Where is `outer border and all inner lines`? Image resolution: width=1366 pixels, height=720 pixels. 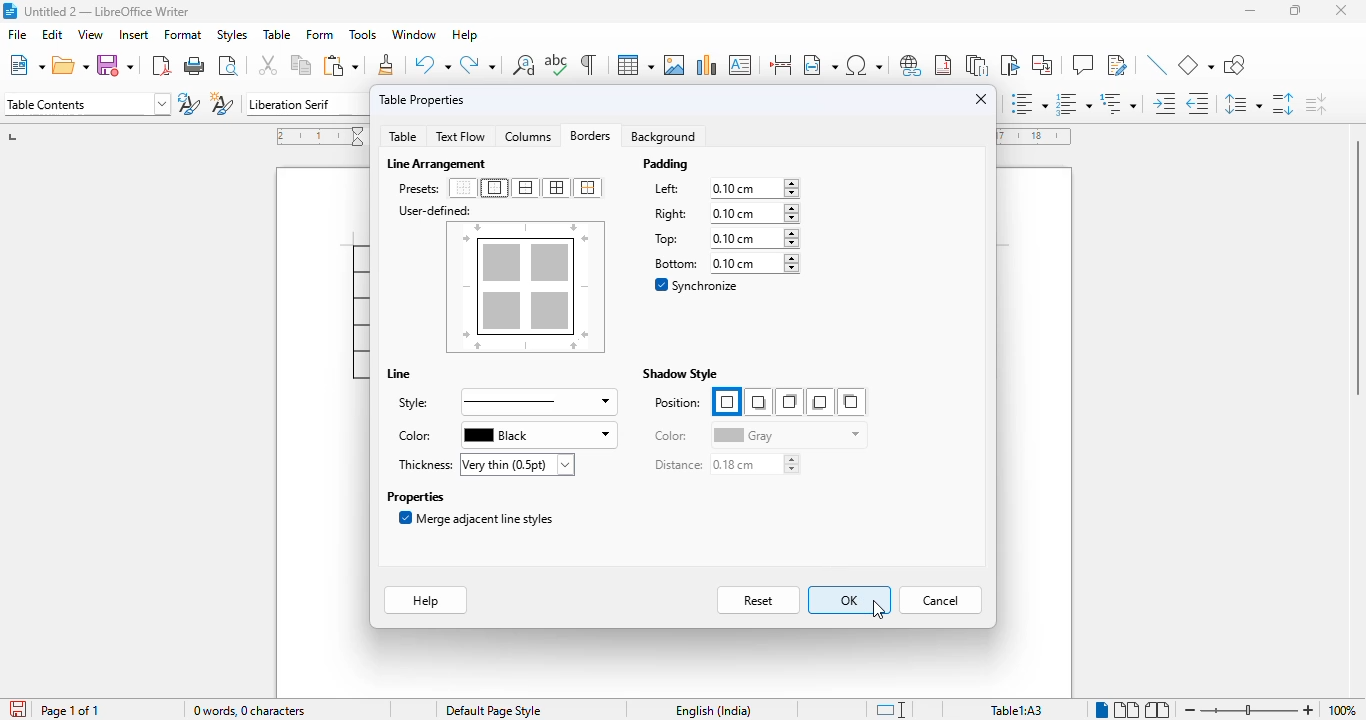
outer border and all inner lines is located at coordinates (557, 188).